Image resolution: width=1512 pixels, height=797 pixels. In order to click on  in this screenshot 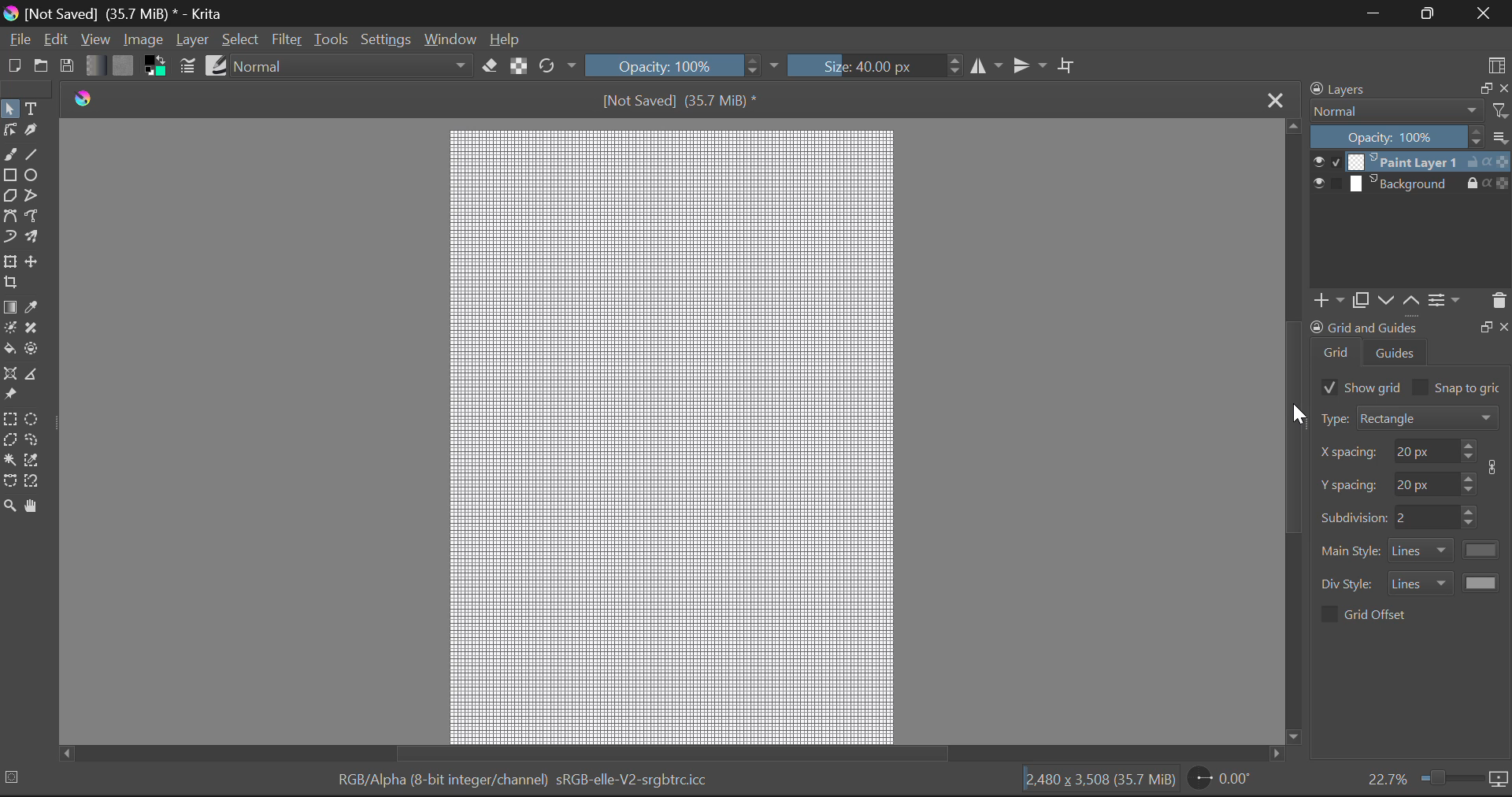, I will do `click(1505, 325)`.